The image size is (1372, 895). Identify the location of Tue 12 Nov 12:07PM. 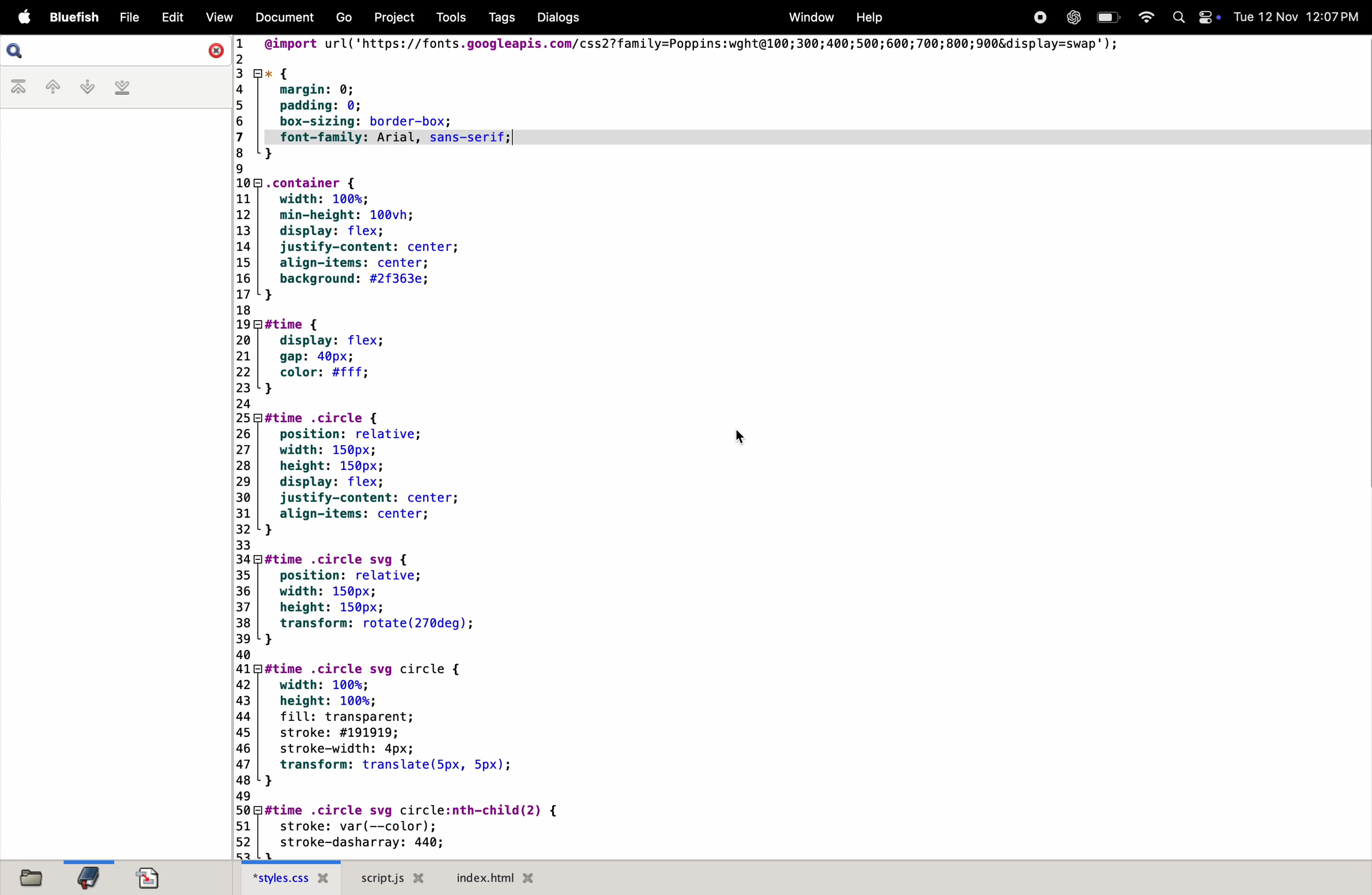
(1298, 17).